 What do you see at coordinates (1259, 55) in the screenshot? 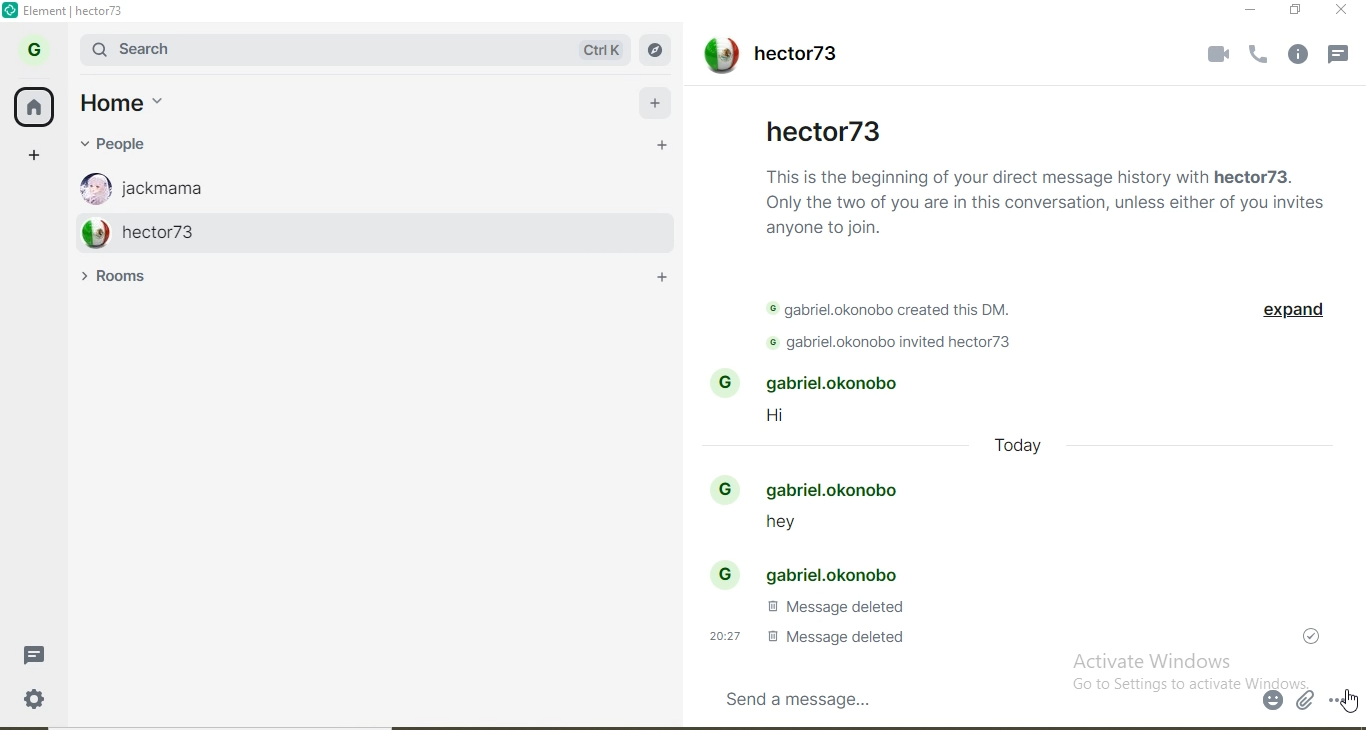
I see `voice call` at bounding box center [1259, 55].